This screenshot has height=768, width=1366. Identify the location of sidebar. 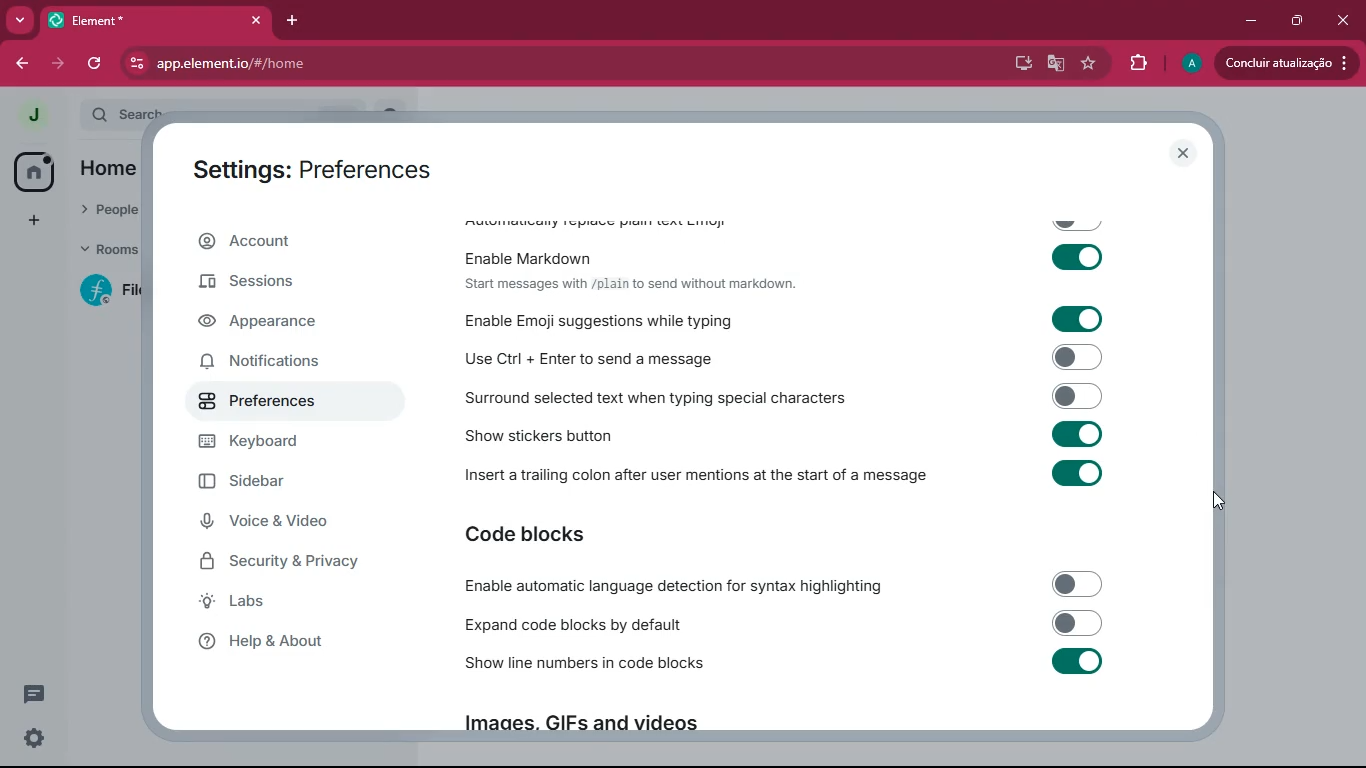
(295, 482).